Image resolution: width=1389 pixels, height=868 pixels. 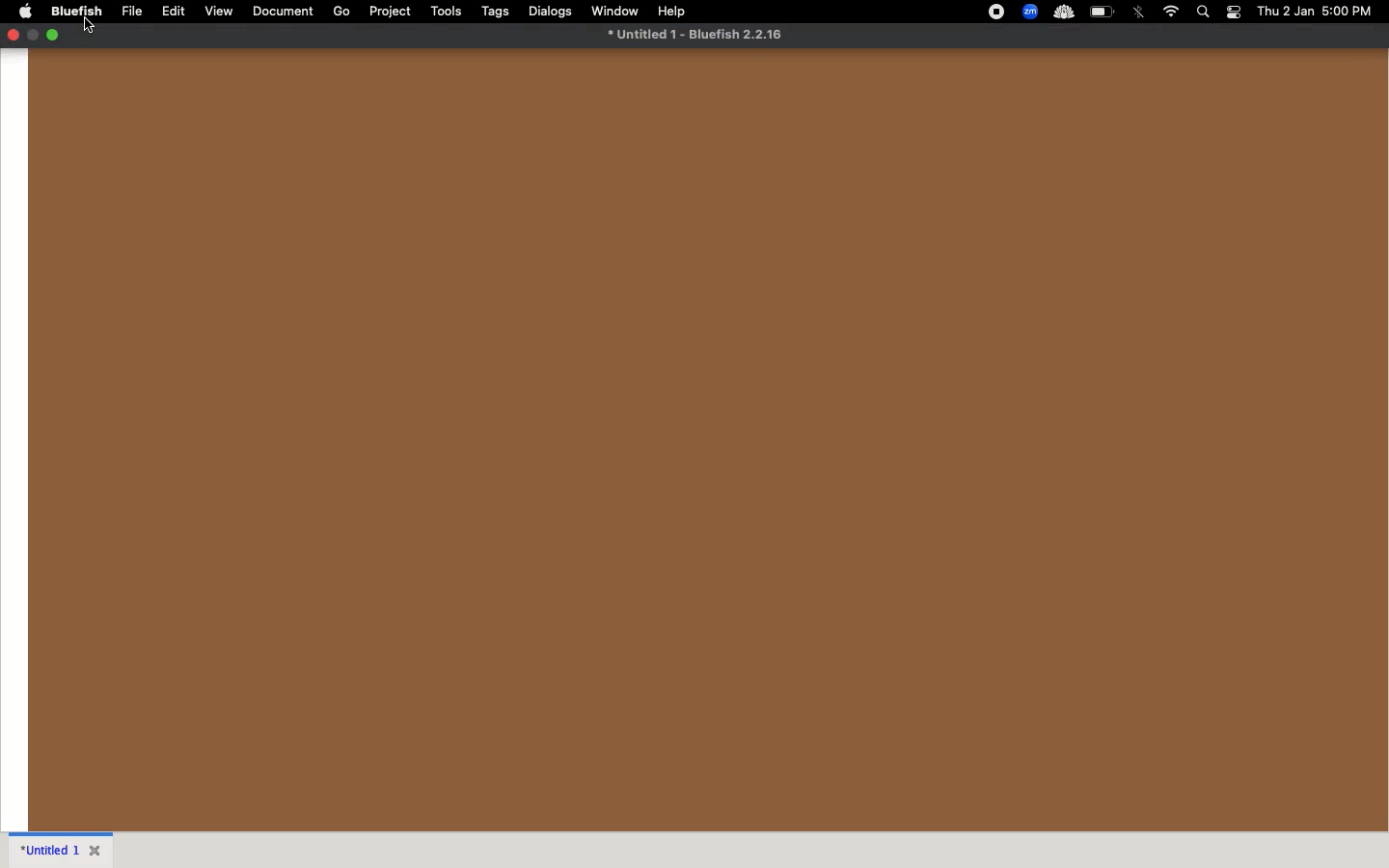 I want to click on bluetooth, so click(x=1142, y=13).